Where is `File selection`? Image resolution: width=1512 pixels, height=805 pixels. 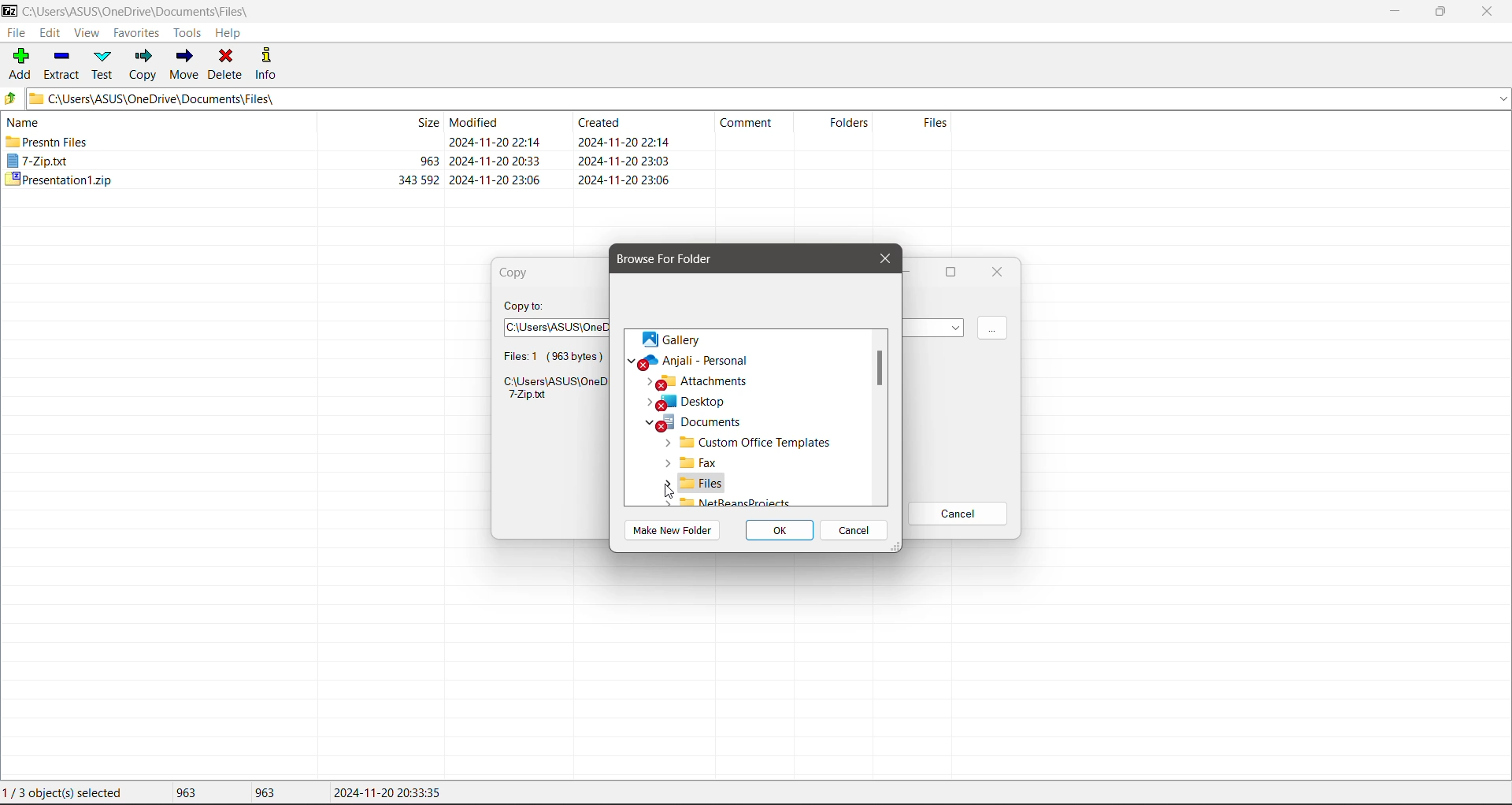
File selection is located at coordinates (549, 354).